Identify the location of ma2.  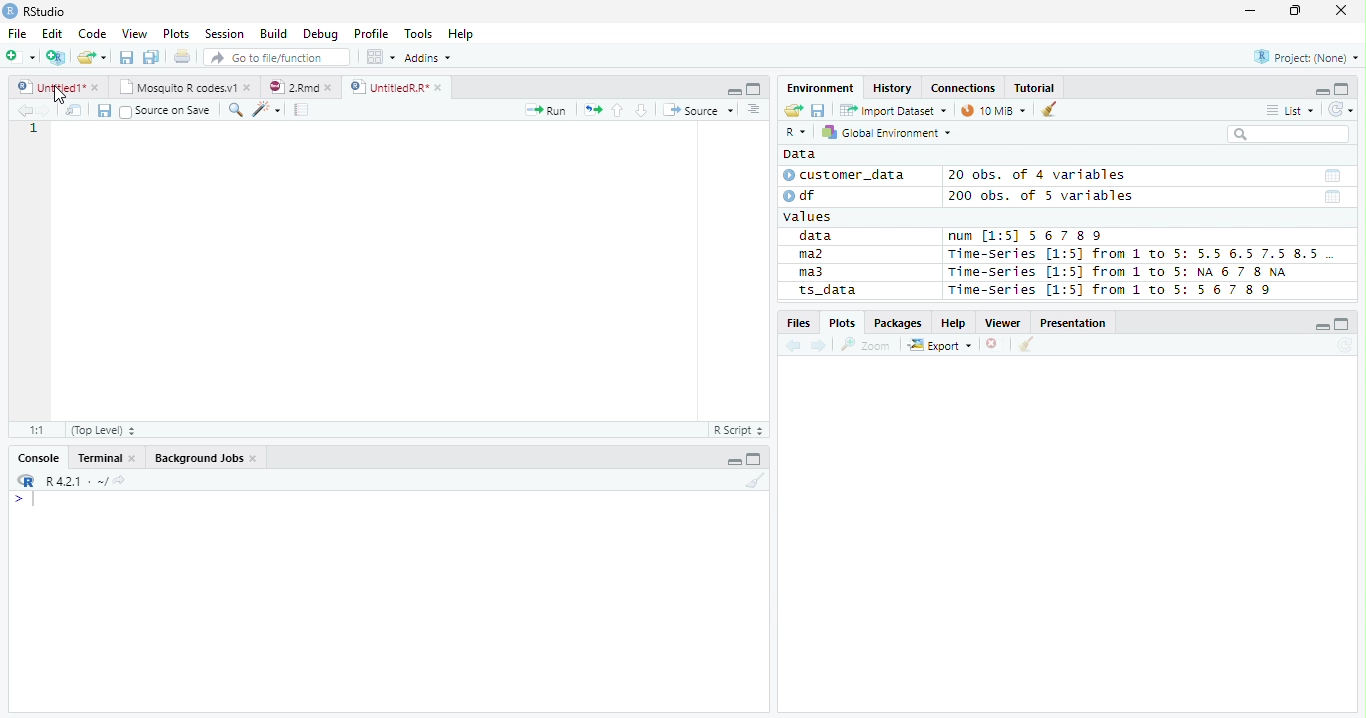
(816, 256).